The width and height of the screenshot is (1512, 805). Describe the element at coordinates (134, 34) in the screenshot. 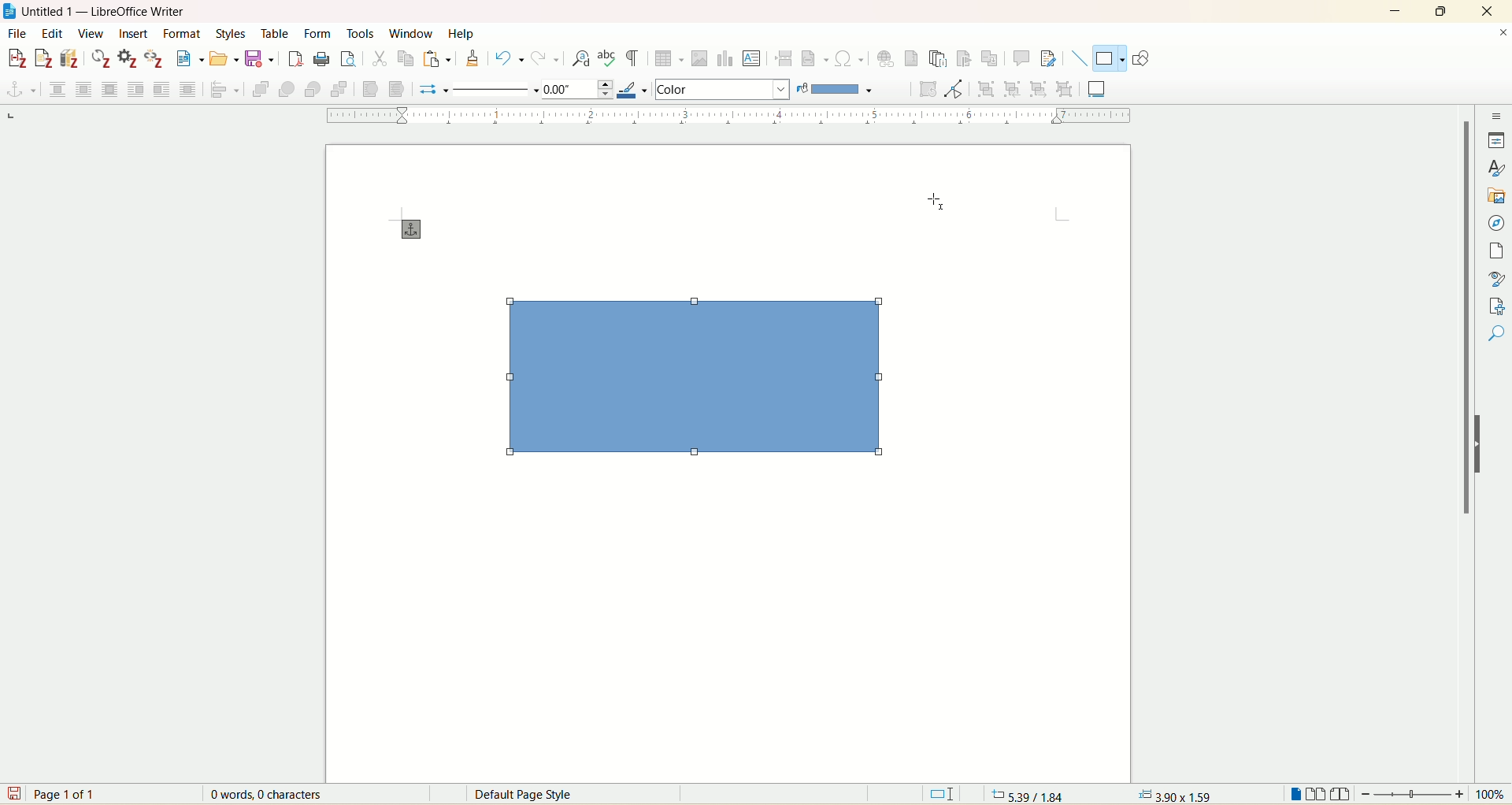

I see `insert` at that location.